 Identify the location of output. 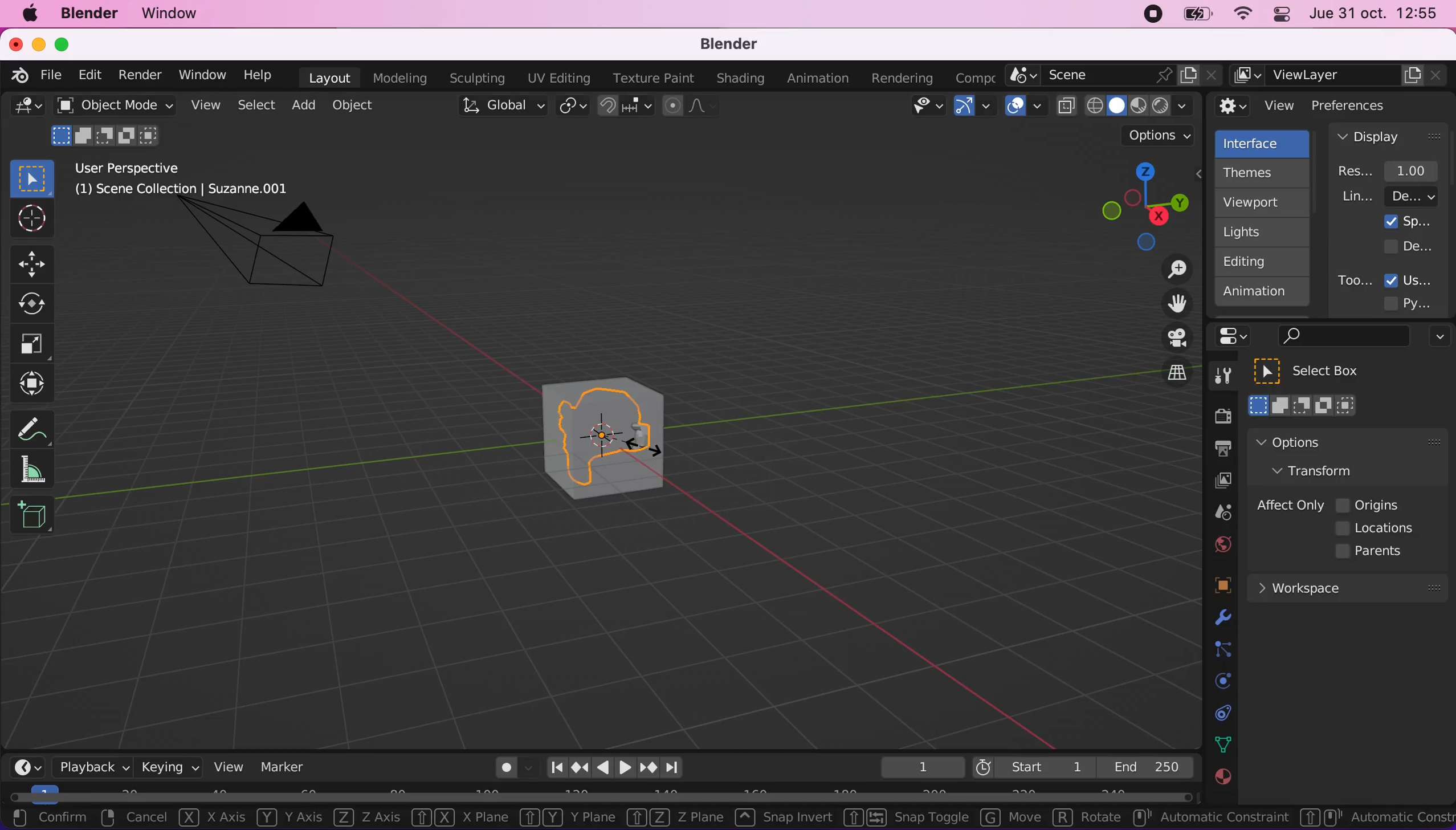
(1217, 450).